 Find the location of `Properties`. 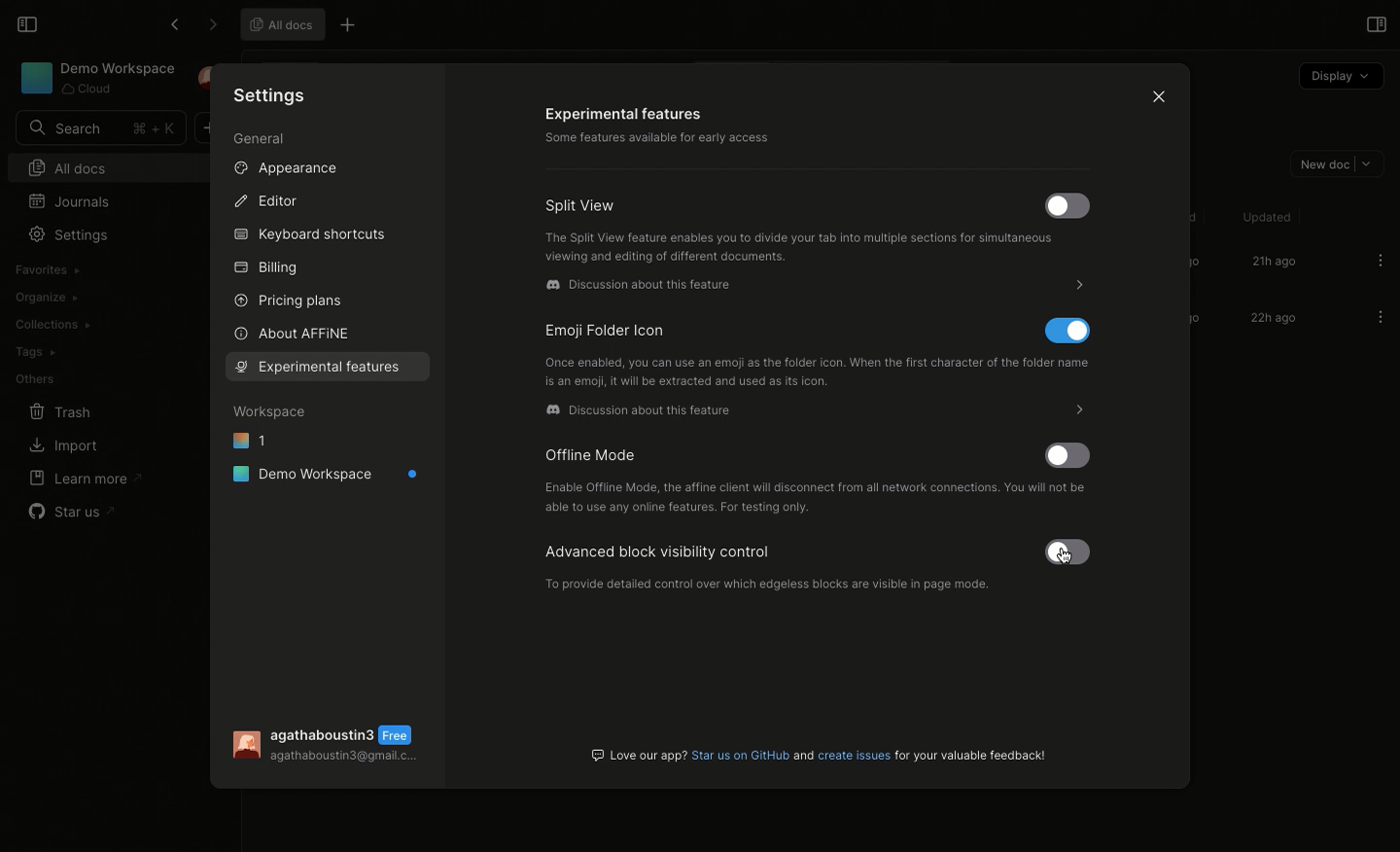

Properties is located at coordinates (292, 539).